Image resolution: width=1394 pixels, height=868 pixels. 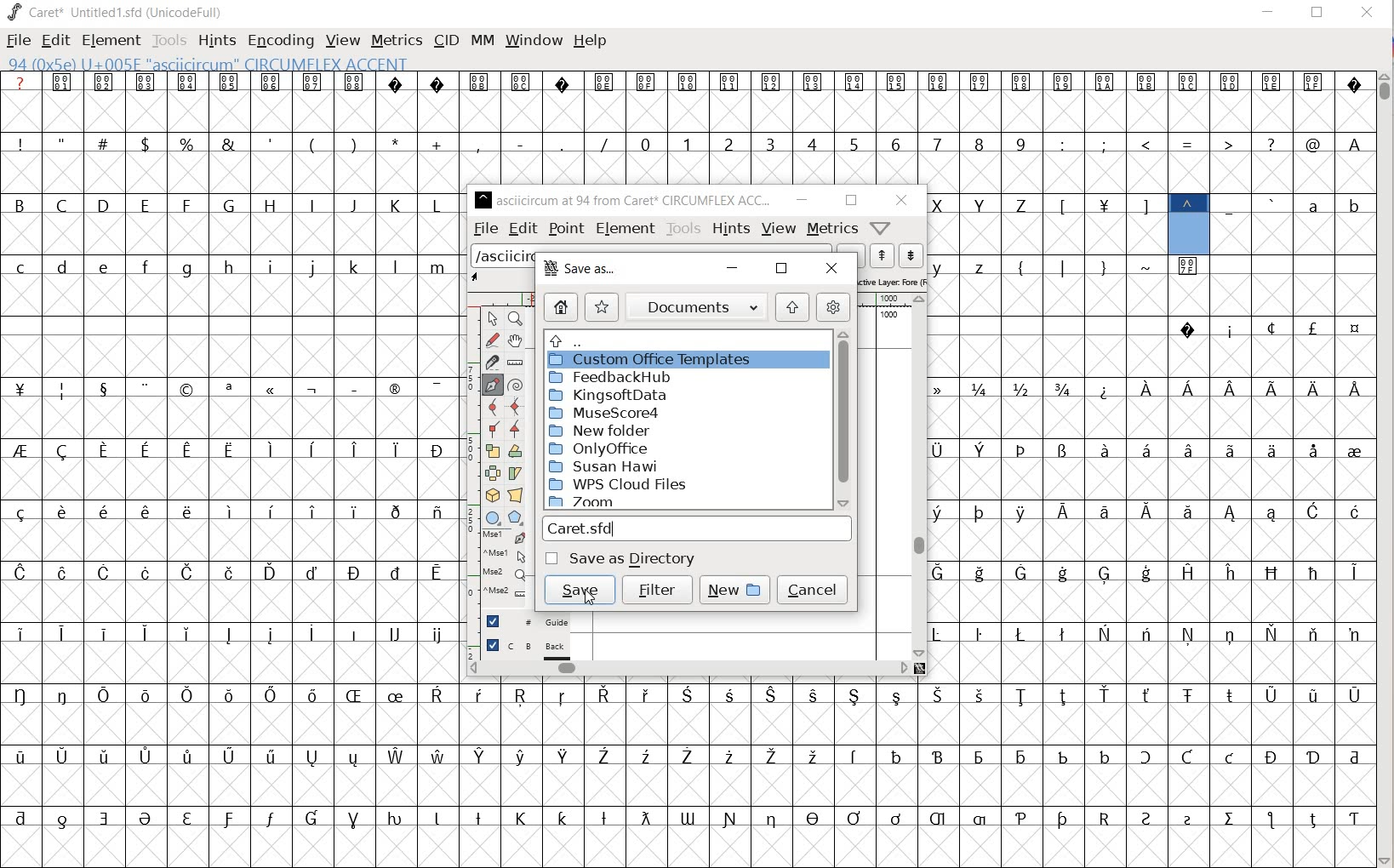 What do you see at coordinates (850, 201) in the screenshot?
I see `restore down` at bounding box center [850, 201].